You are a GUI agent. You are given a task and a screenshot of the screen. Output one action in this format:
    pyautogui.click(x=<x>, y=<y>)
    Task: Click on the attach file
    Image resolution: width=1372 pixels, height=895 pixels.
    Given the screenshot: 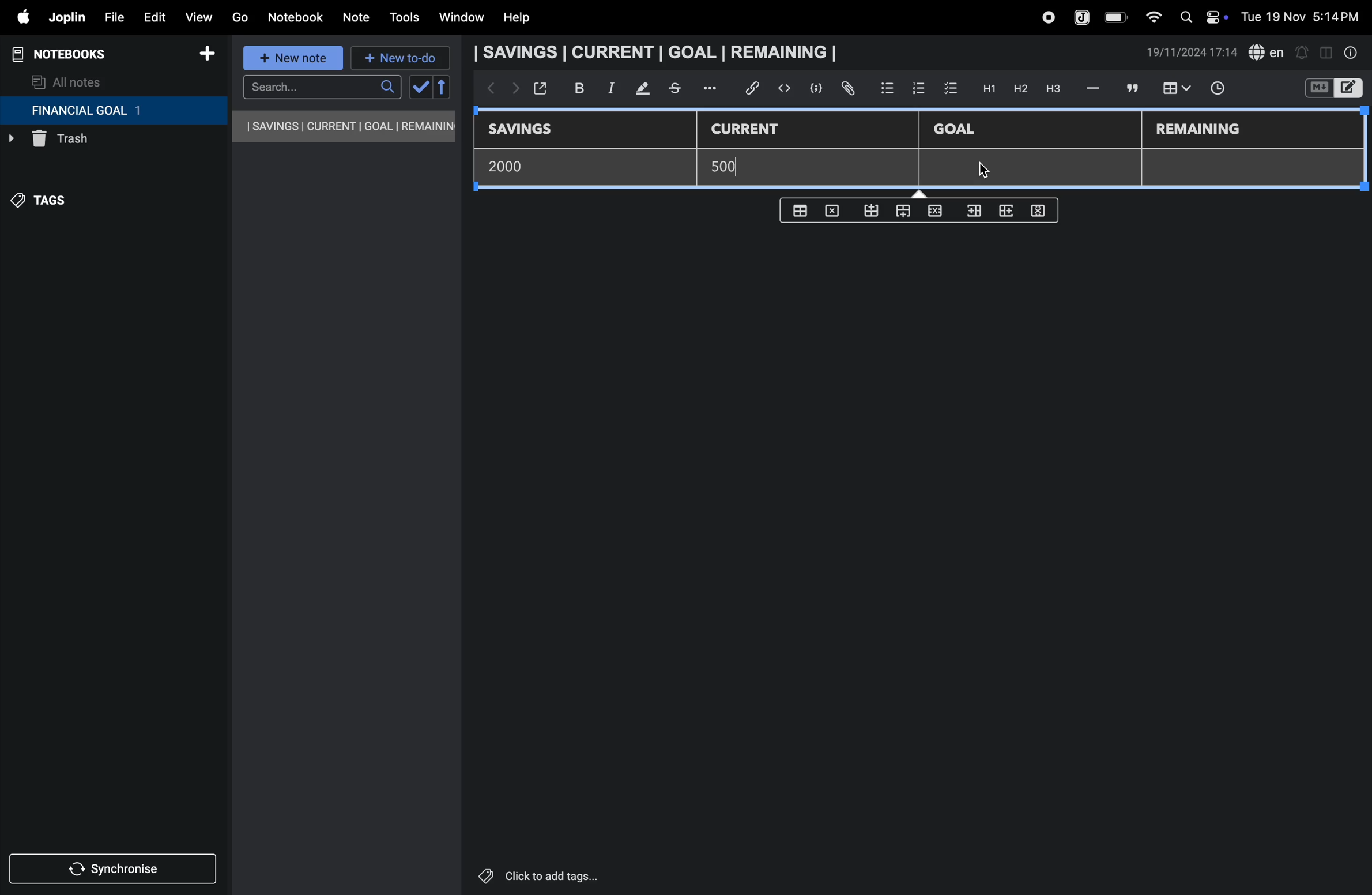 What is the action you would take?
    pyautogui.click(x=847, y=89)
    